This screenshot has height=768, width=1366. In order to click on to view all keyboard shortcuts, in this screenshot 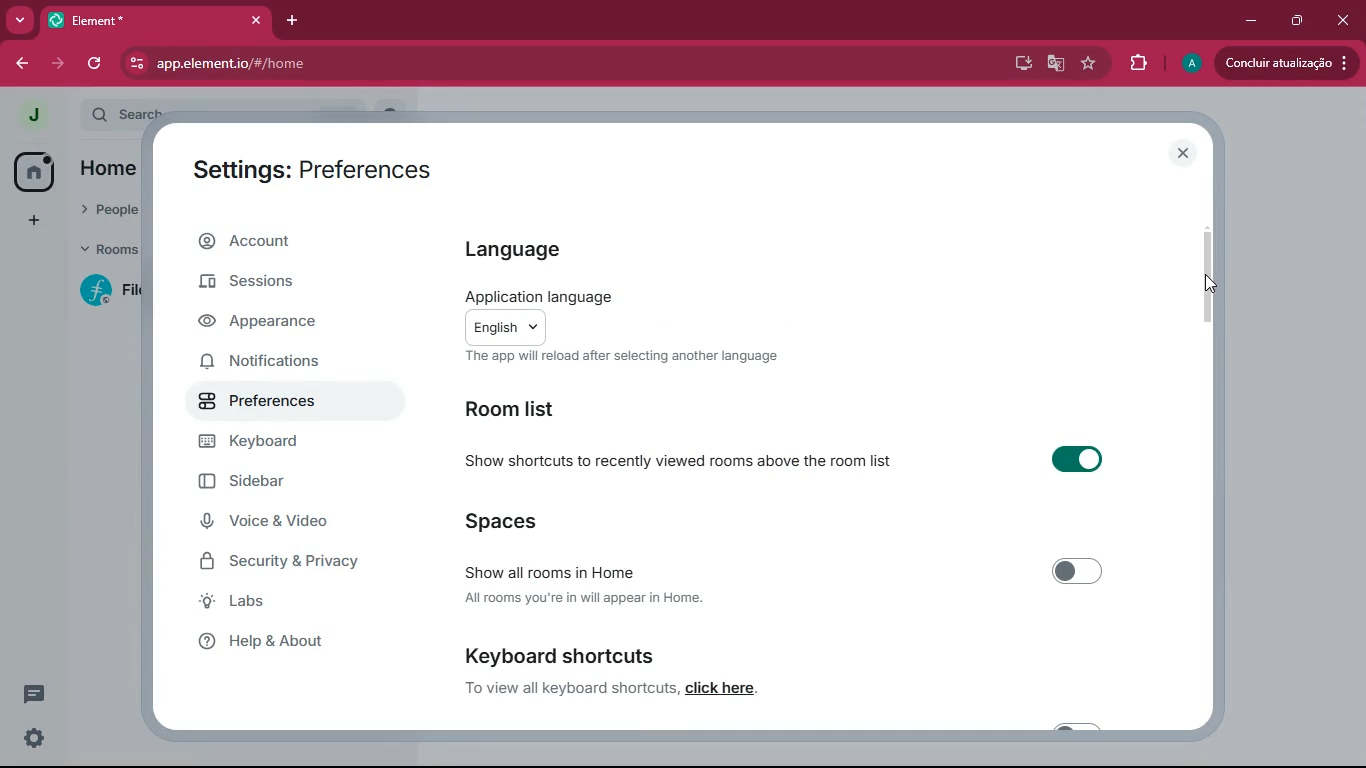, I will do `click(572, 687)`.